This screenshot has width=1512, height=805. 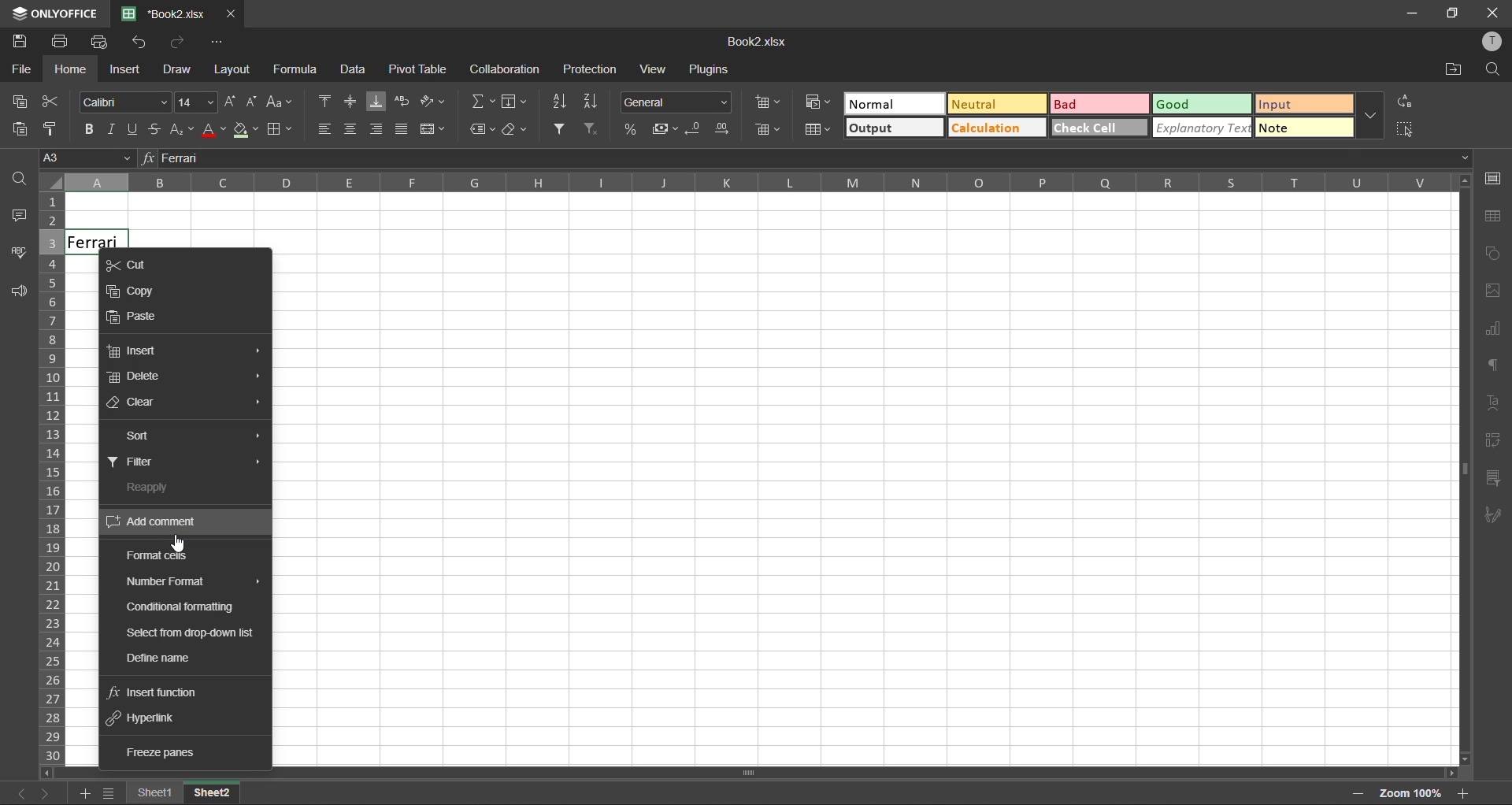 I want to click on replace, so click(x=1406, y=104).